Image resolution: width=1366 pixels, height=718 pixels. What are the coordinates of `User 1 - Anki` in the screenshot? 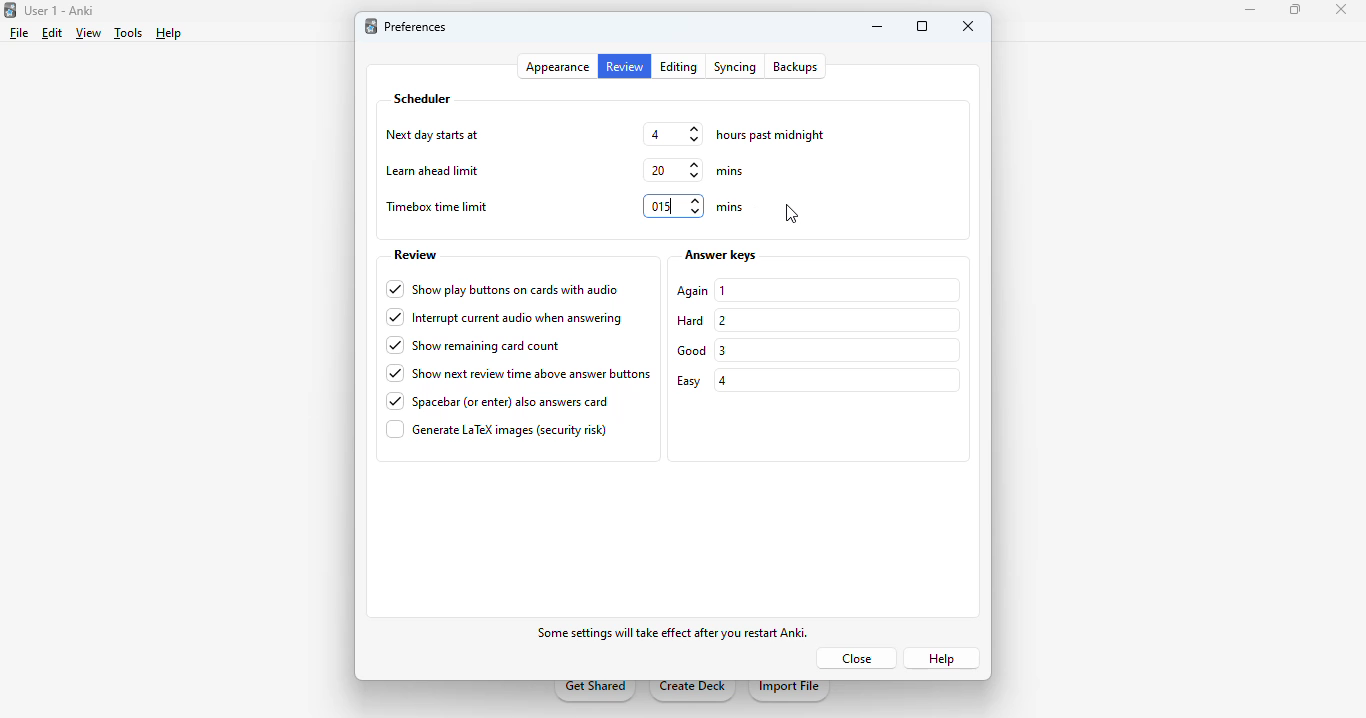 It's located at (60, 11).